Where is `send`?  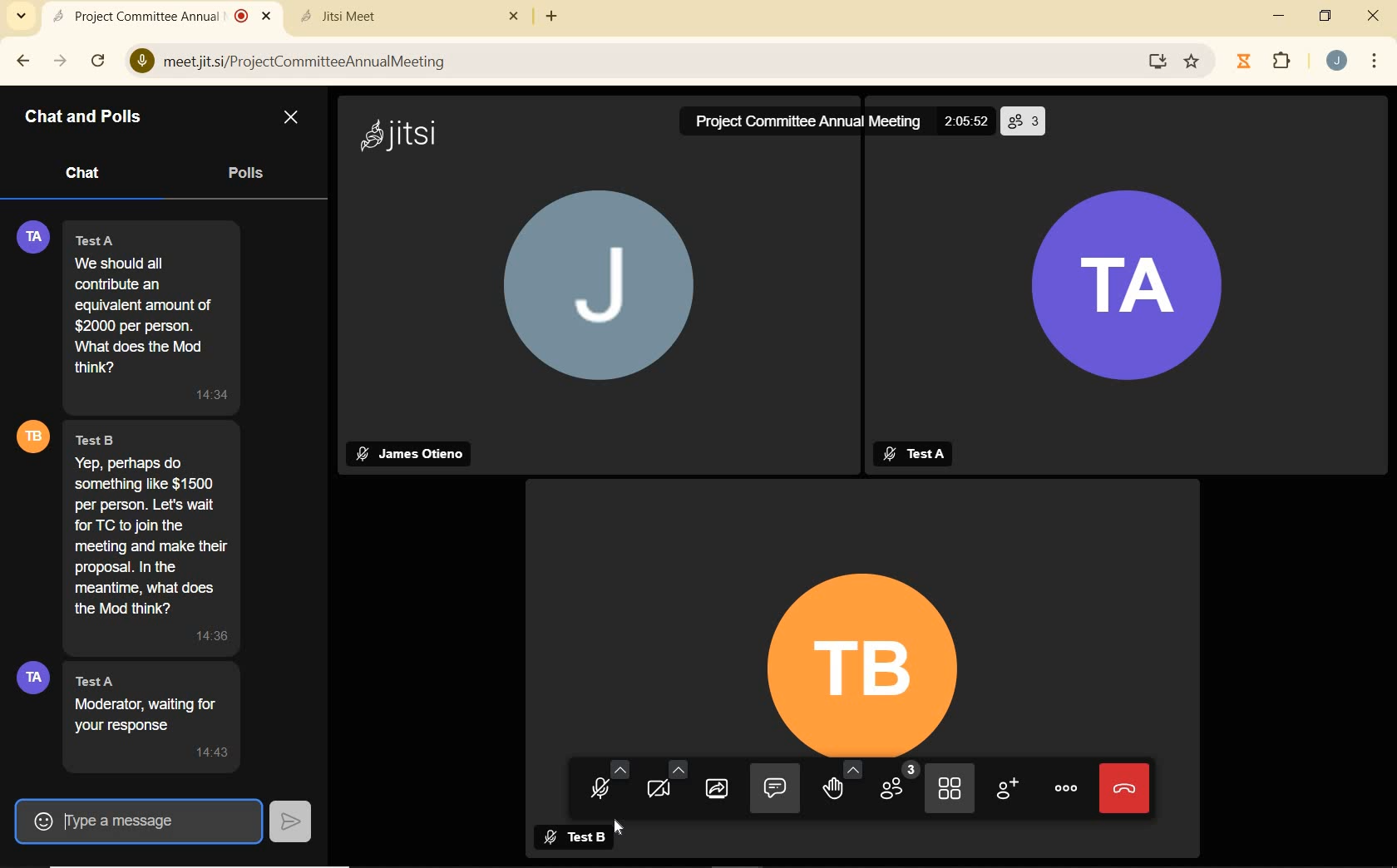 send is located at coordinates (293, 821).